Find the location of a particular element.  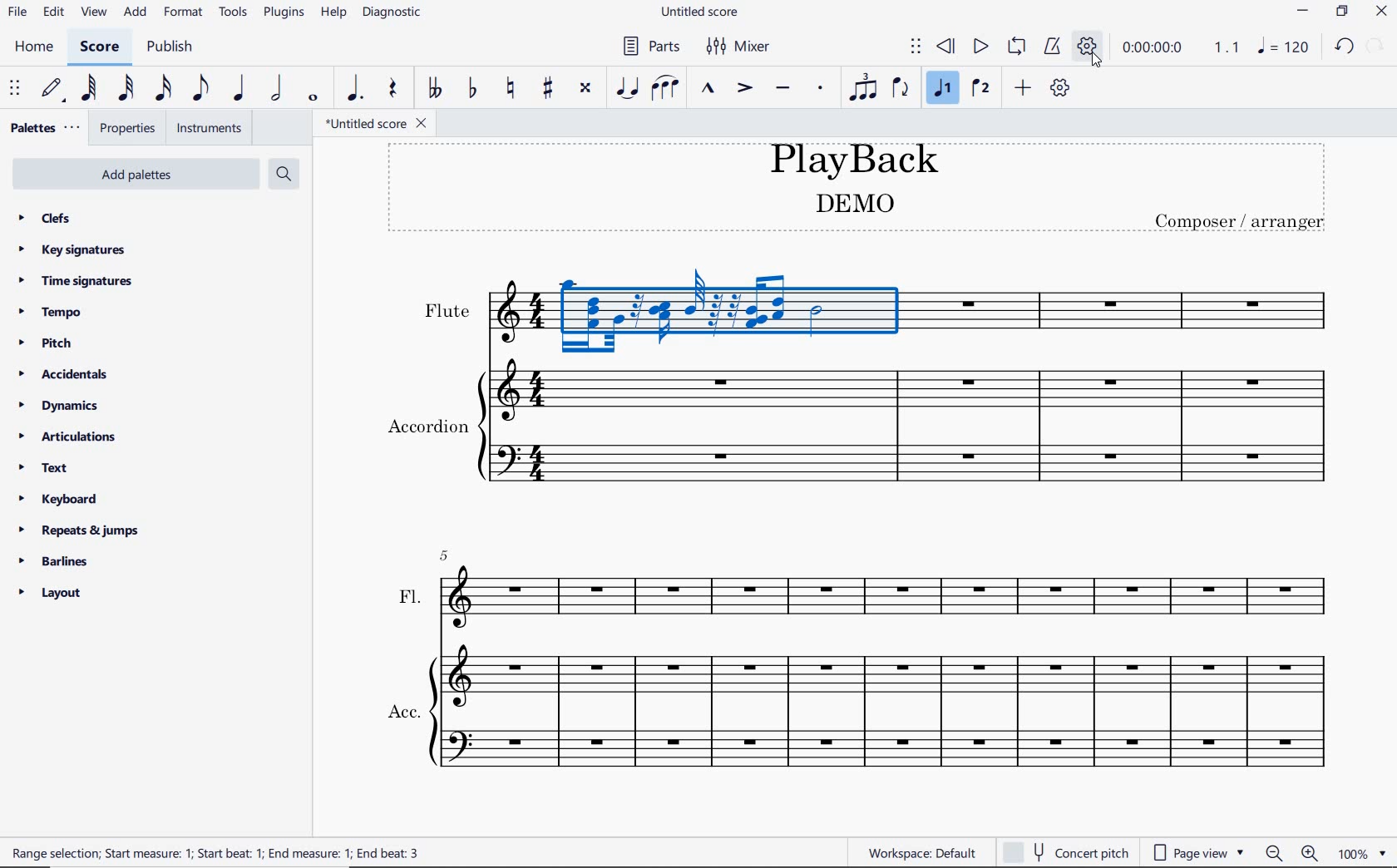

ZOOM FACTOR is located at coordinates (1365, 851).